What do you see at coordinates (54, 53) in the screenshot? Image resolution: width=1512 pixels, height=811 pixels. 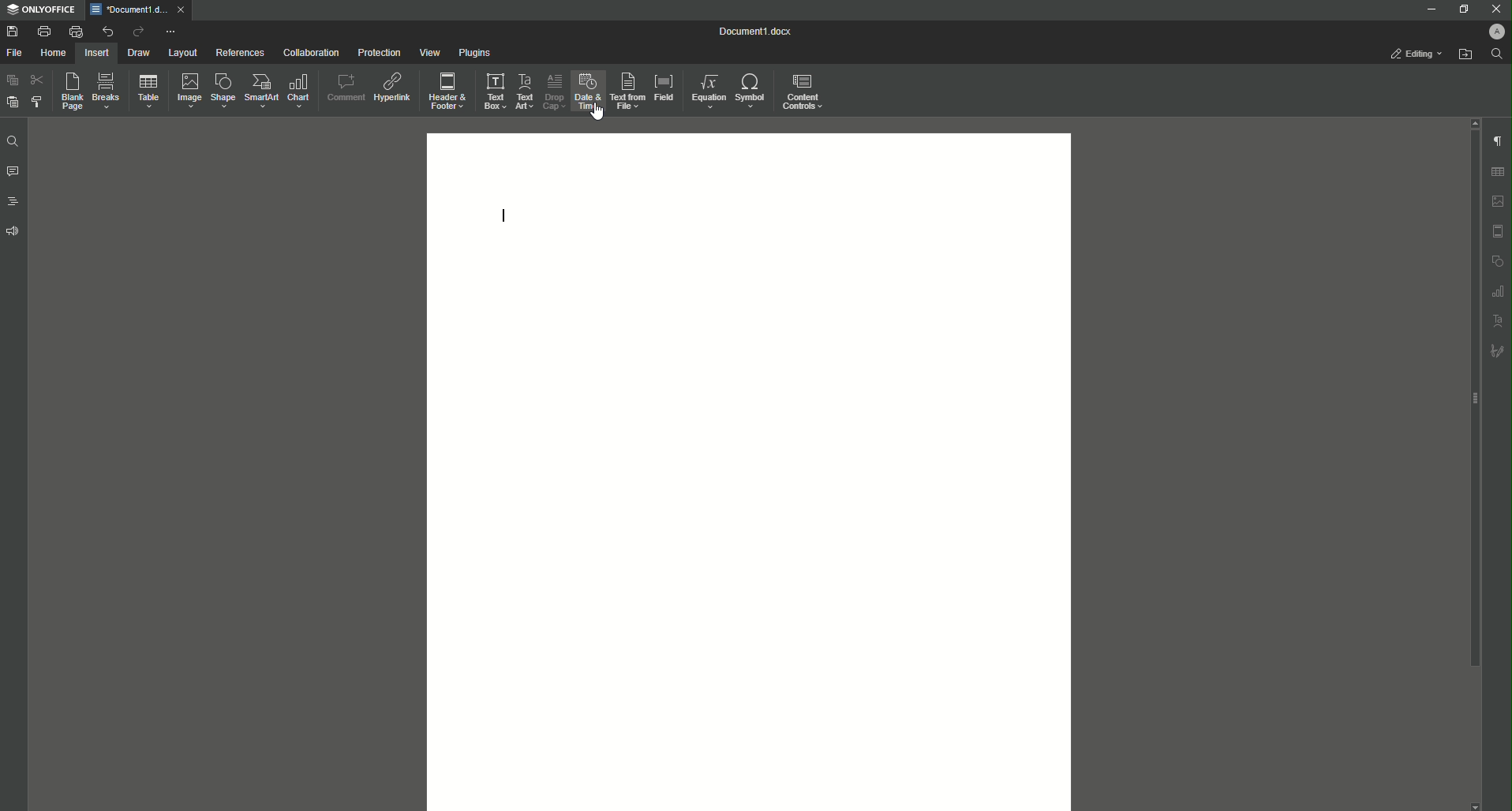 I see `Home` at bounding box center [54, 53].